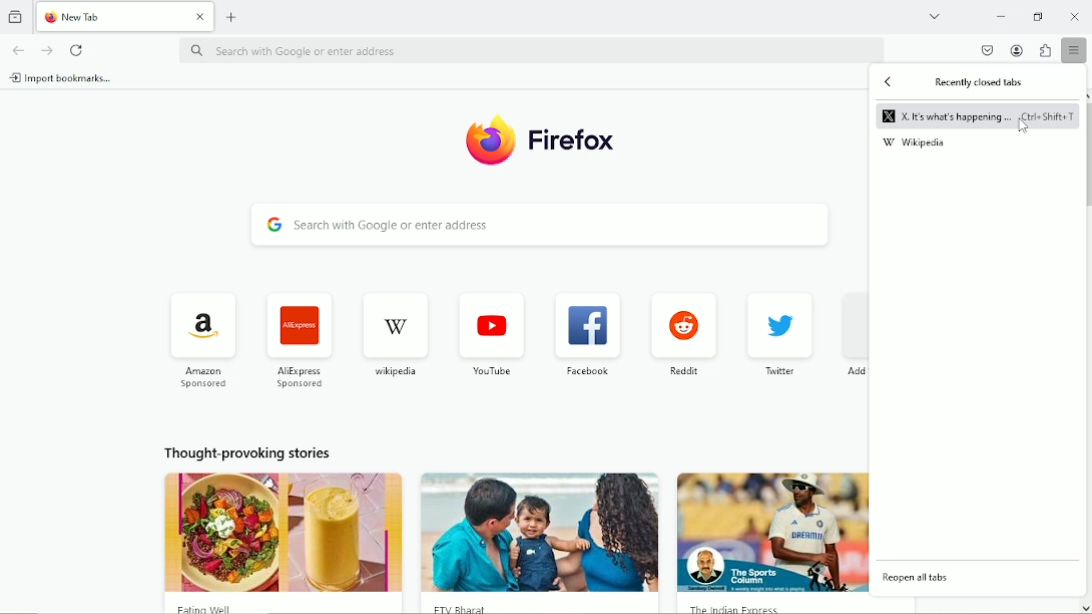 This screenshot has width=1092, height=614. I want to click on save to pocket, so click(985, 49).